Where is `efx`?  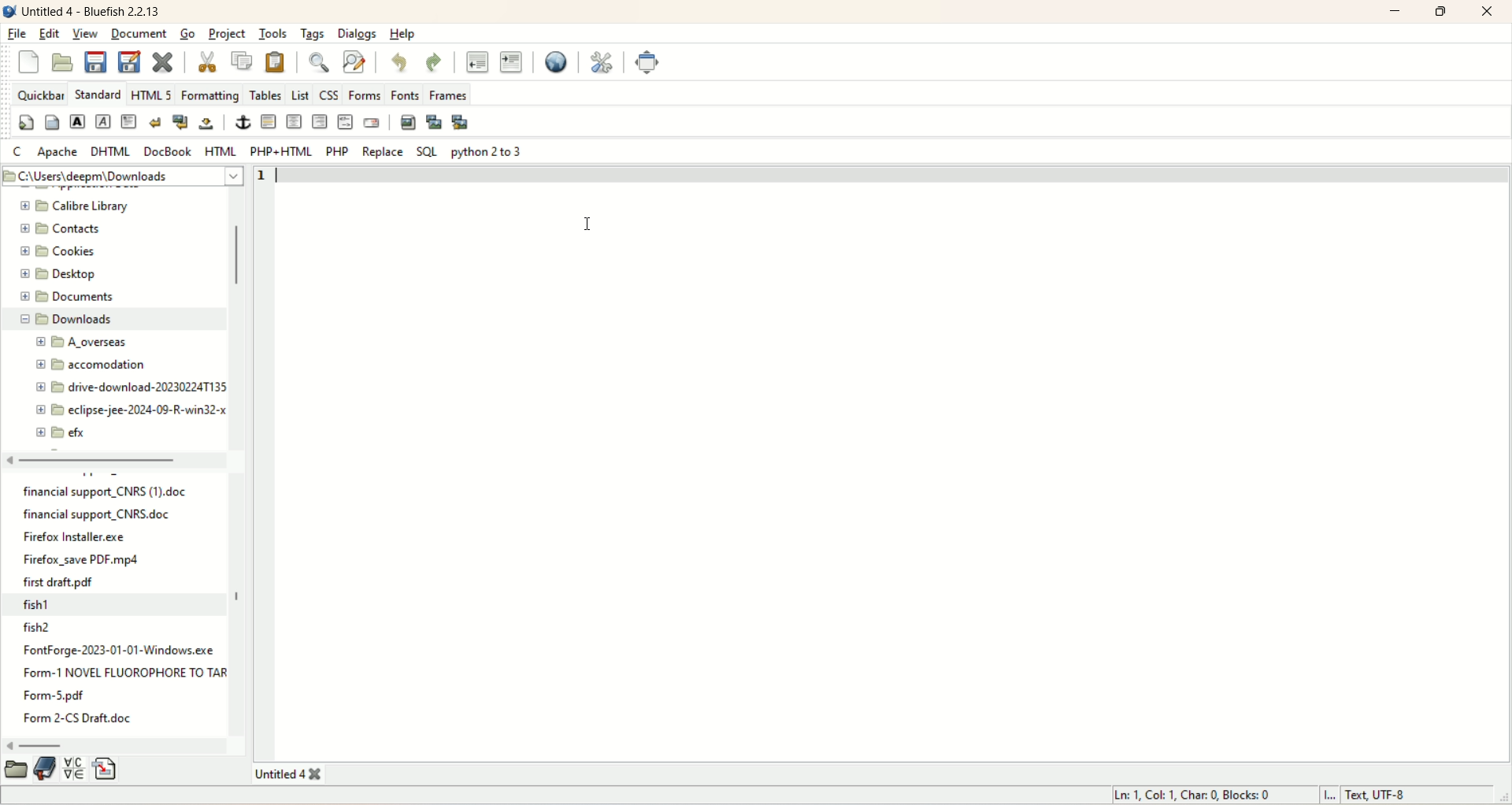 efx is located at coordinates (62, 433).